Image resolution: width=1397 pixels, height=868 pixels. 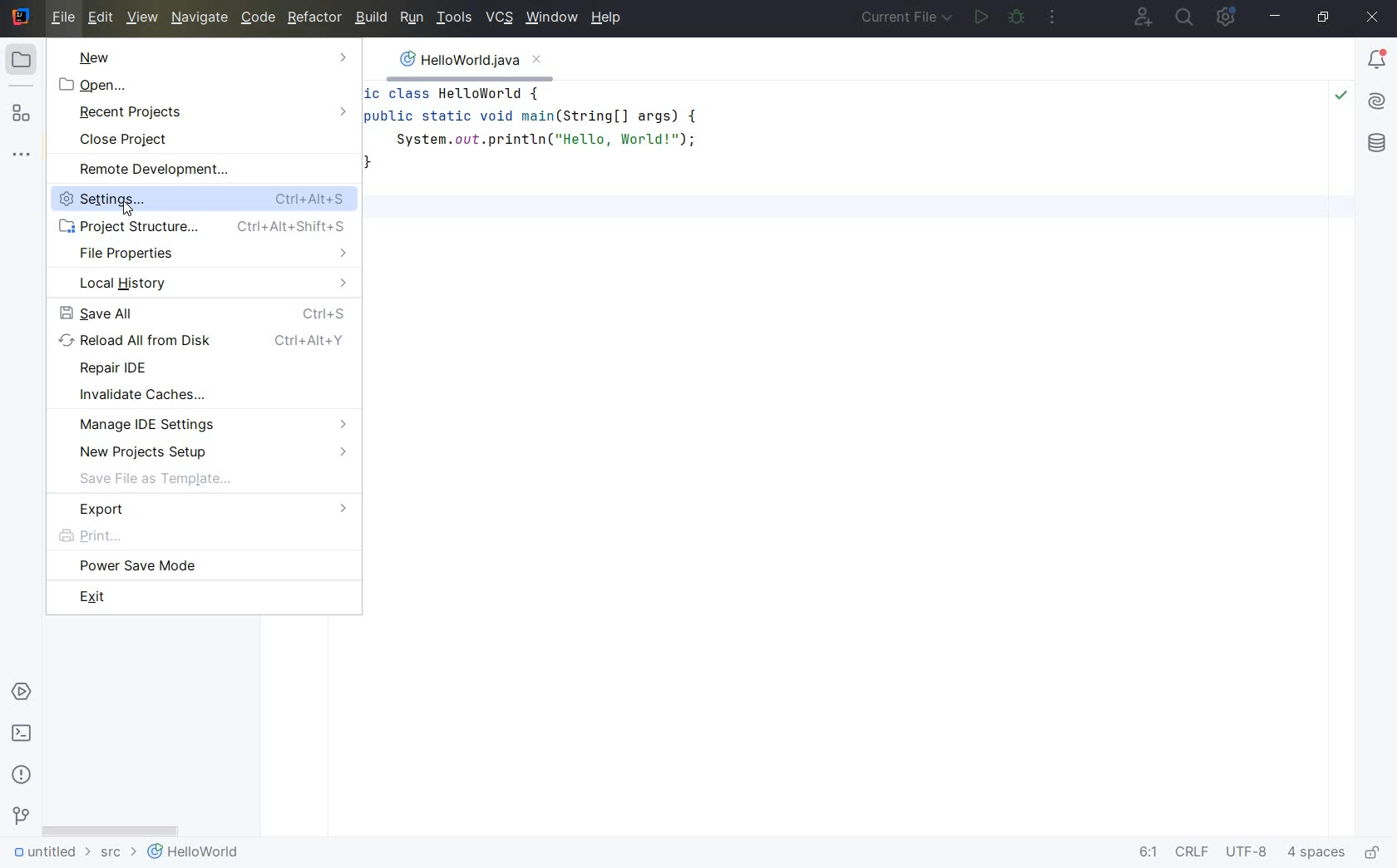 What do you see at coordinates (1377, 104) in the screenshot?
I see `AI Assistant` at bounding box center [1377, 104].